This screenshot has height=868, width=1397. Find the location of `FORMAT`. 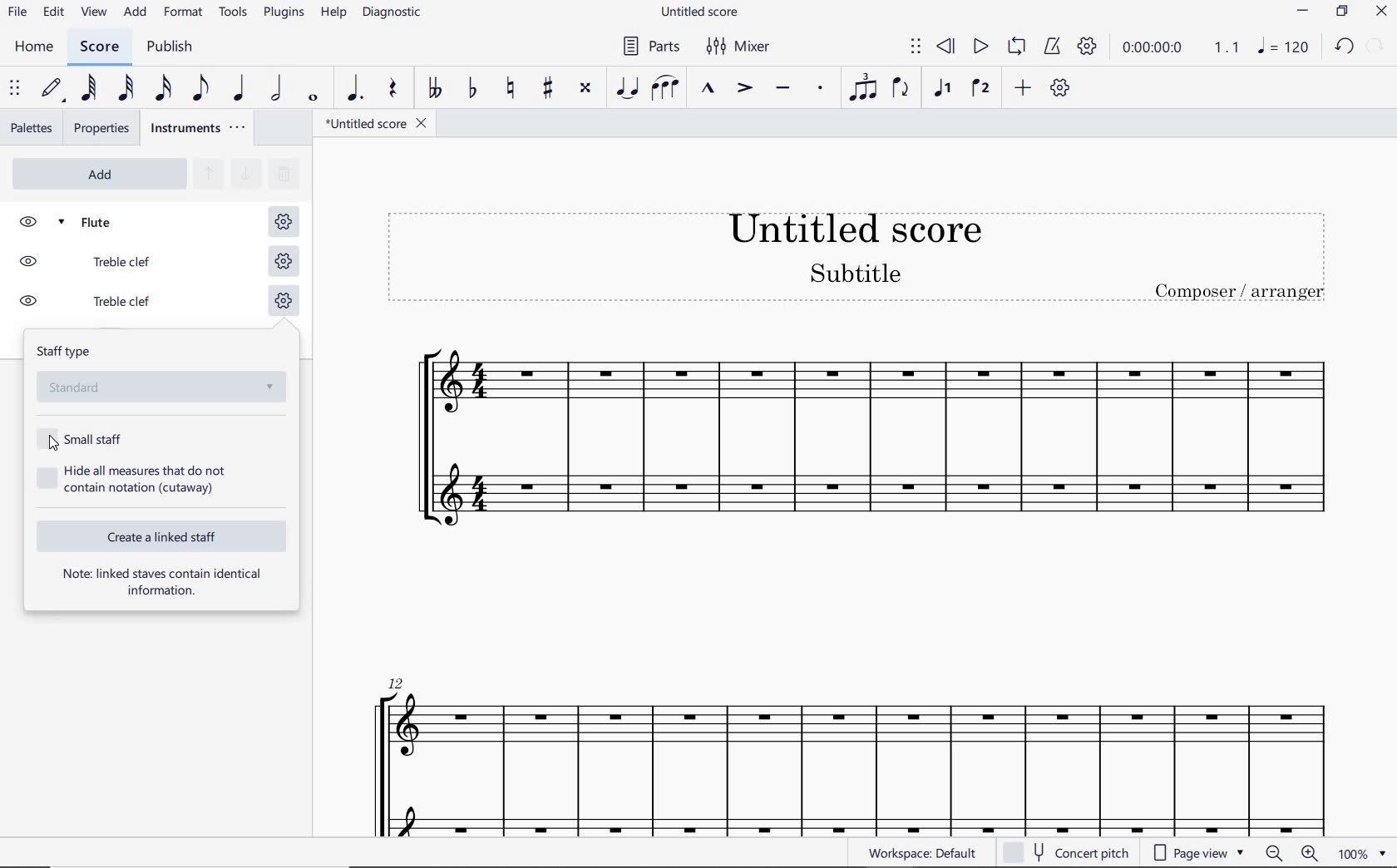

FORMAT is located at coordinates (184, 12).